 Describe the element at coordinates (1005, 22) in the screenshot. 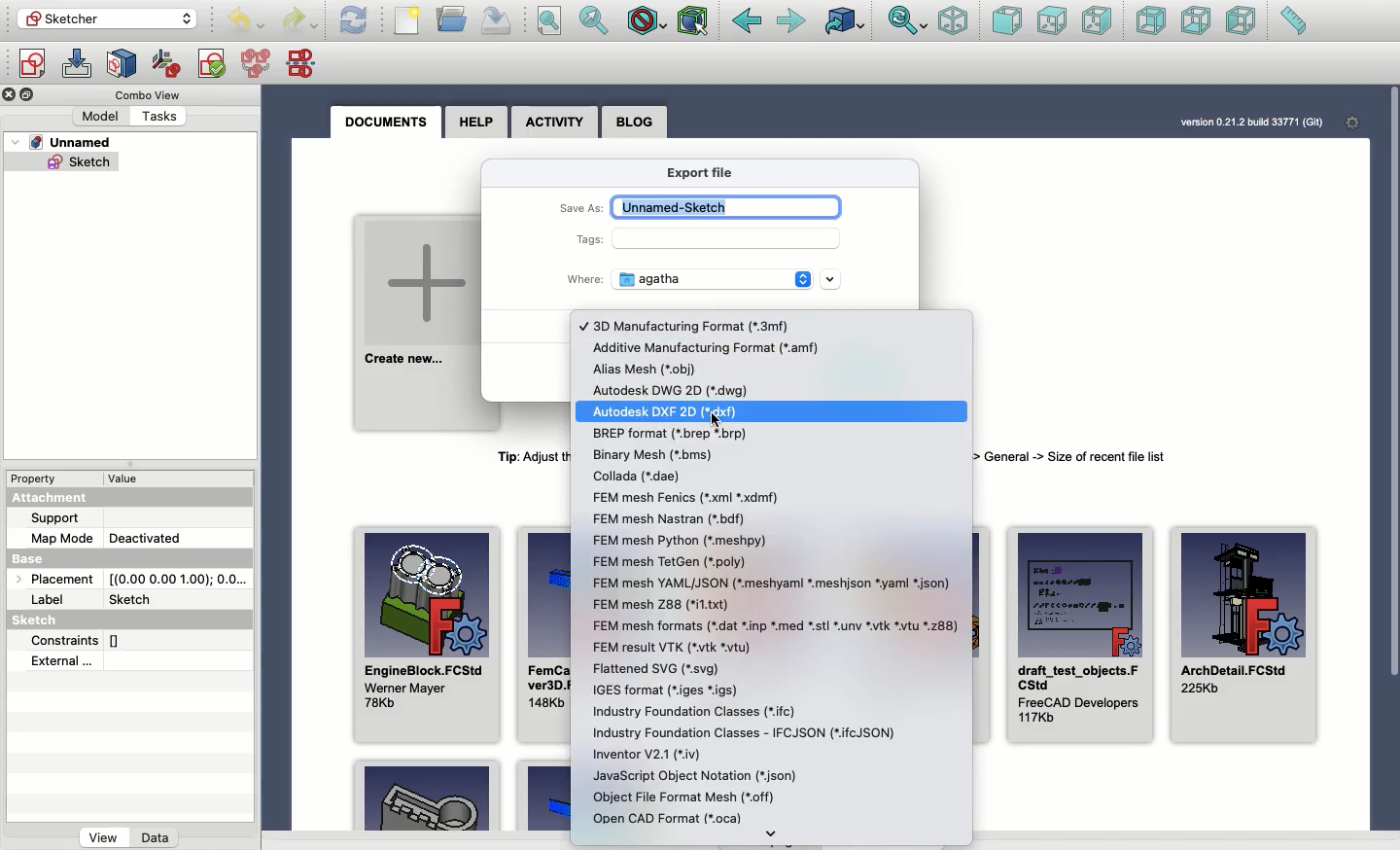

I see `Front` at that location.